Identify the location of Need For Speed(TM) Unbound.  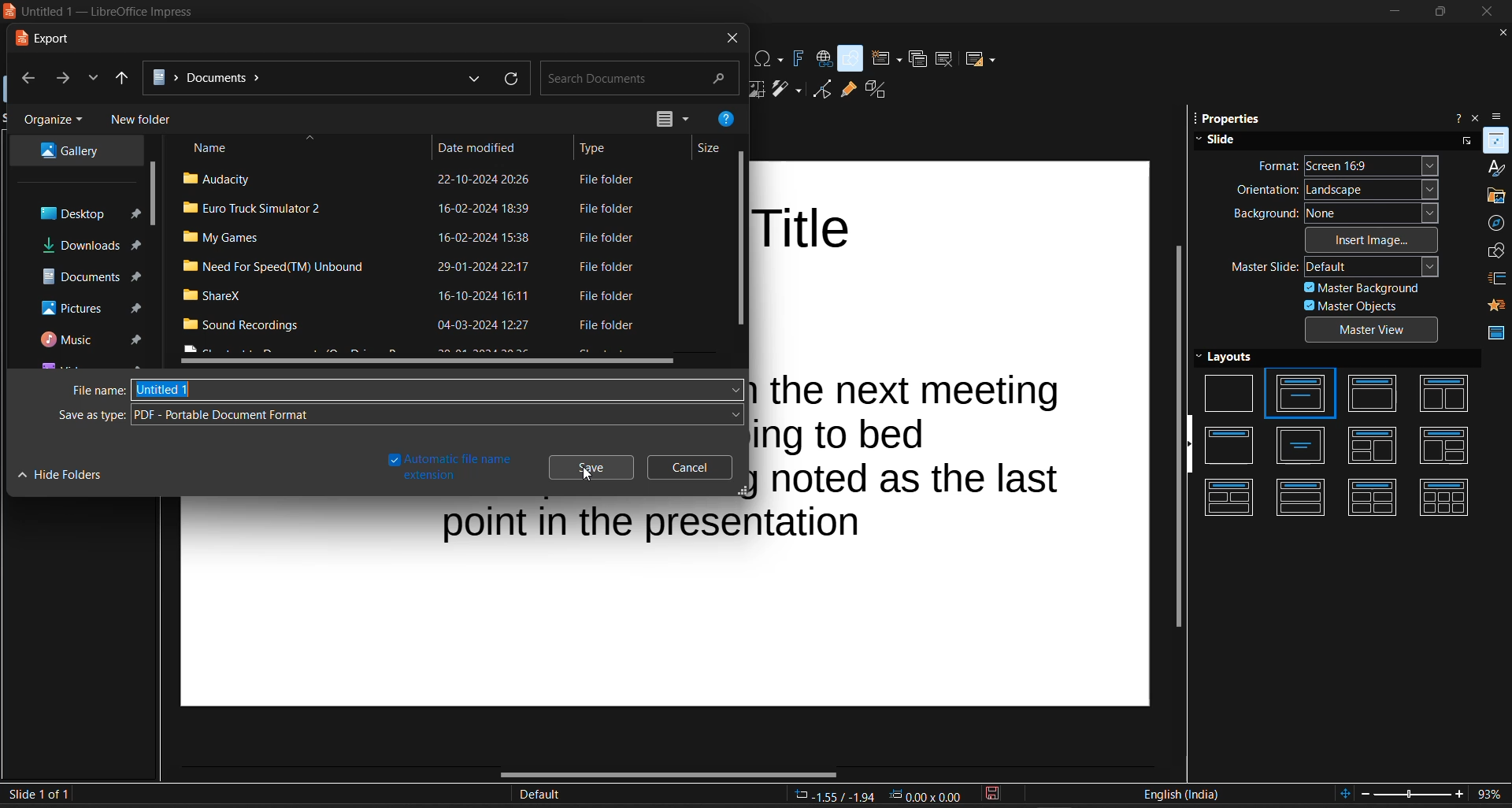
(282, 267).